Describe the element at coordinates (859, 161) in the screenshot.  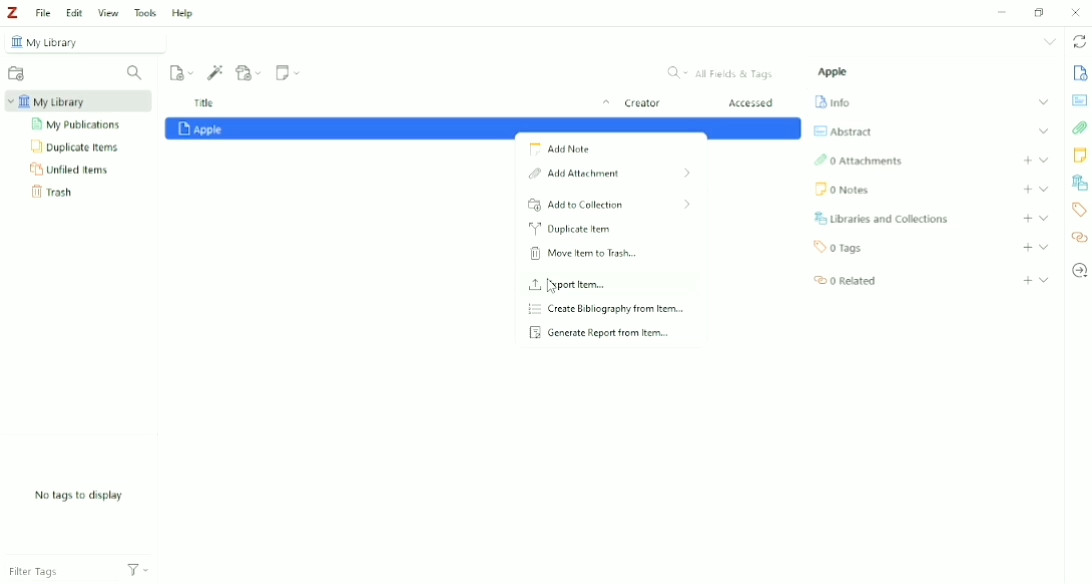
I see `Attachments` at that location.